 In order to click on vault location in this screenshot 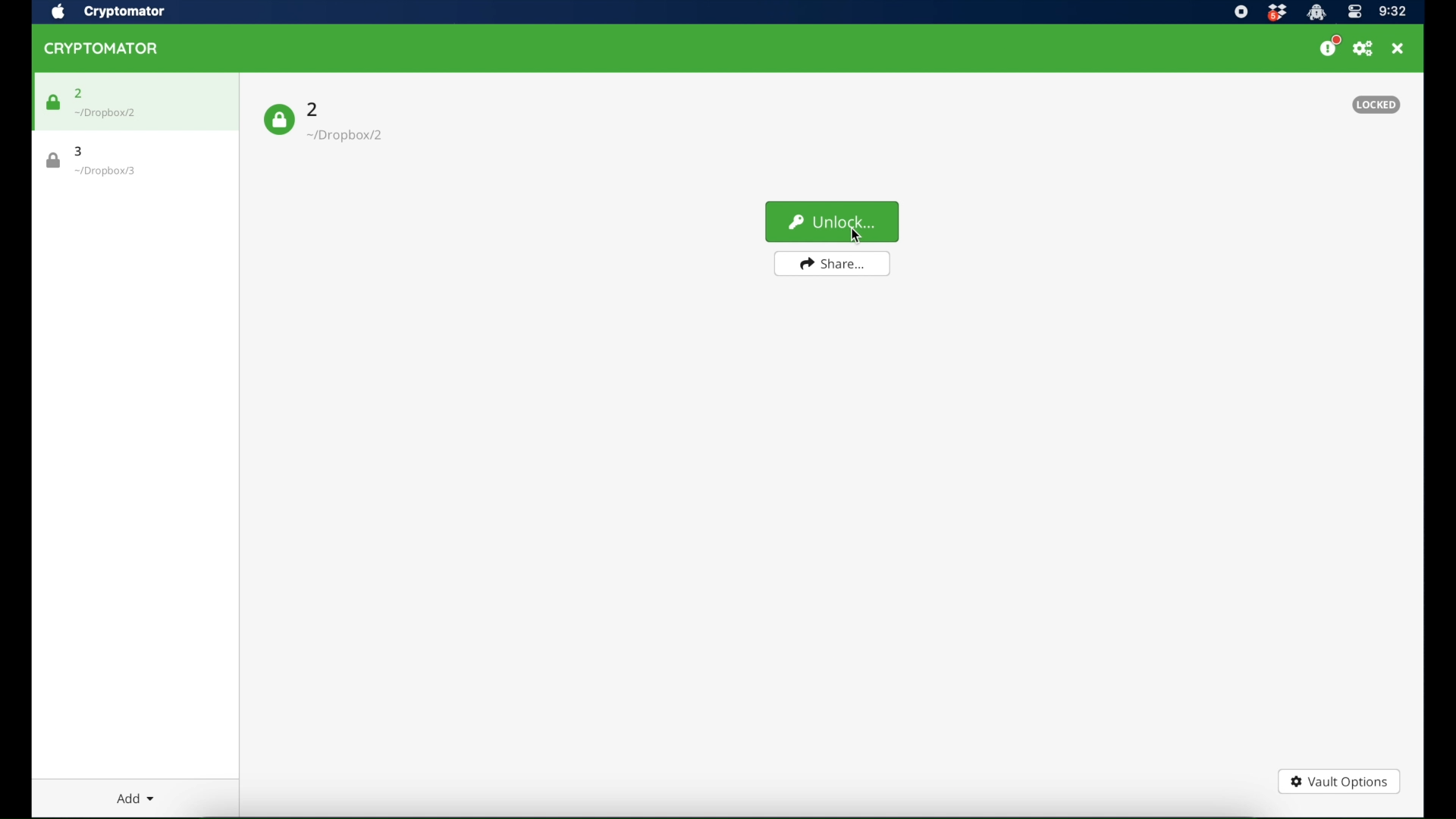, I will do `click(348, 135)`.